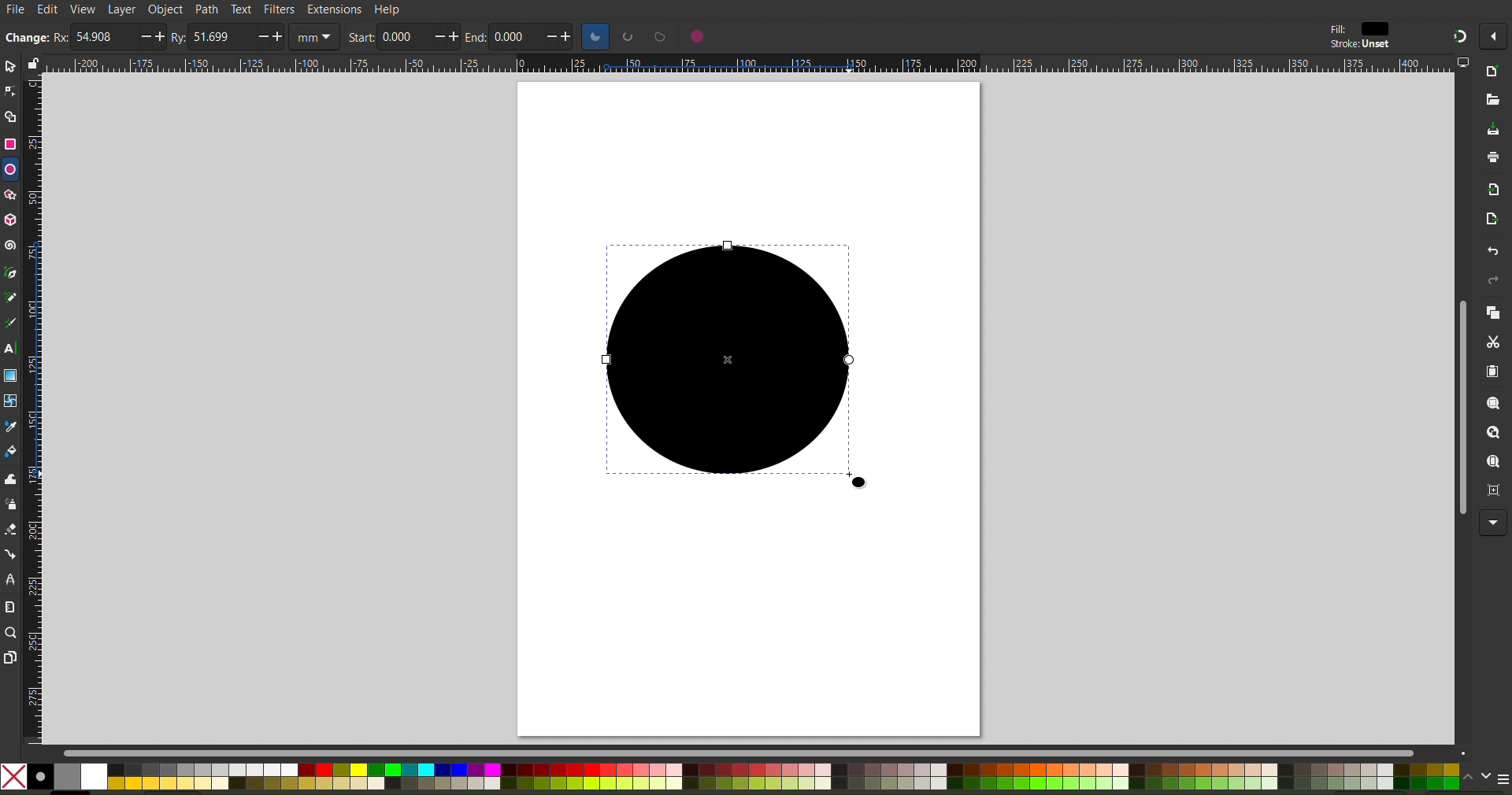 The height and width of the screenshot is (795, 1512). I want to click on Mesh Tool, so click(11, 401).